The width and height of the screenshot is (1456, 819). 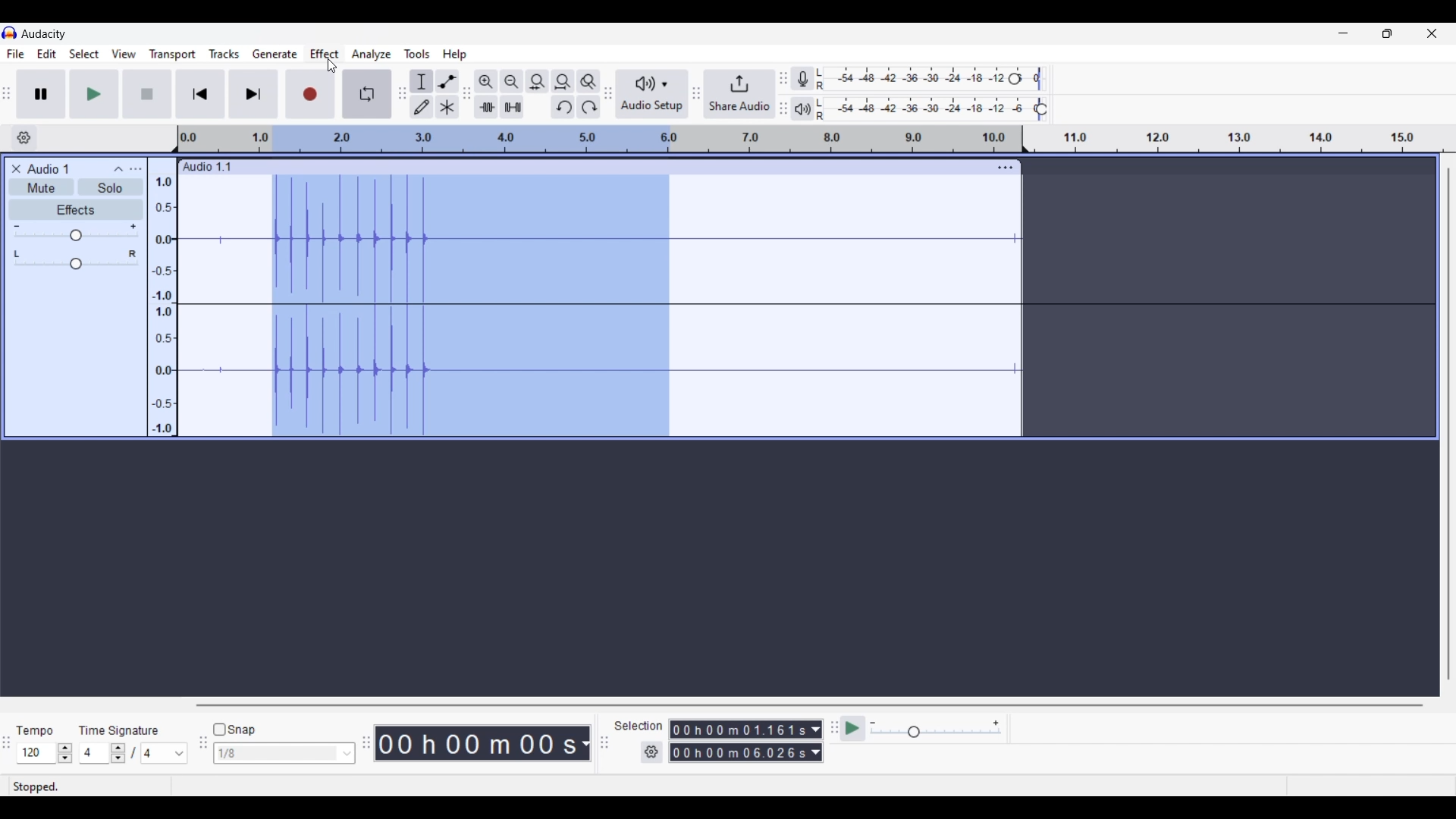 What do you see at coordinates (512, 107) in the screenshot?
I see `Silence audio selection` at bounding box center [512, 107].